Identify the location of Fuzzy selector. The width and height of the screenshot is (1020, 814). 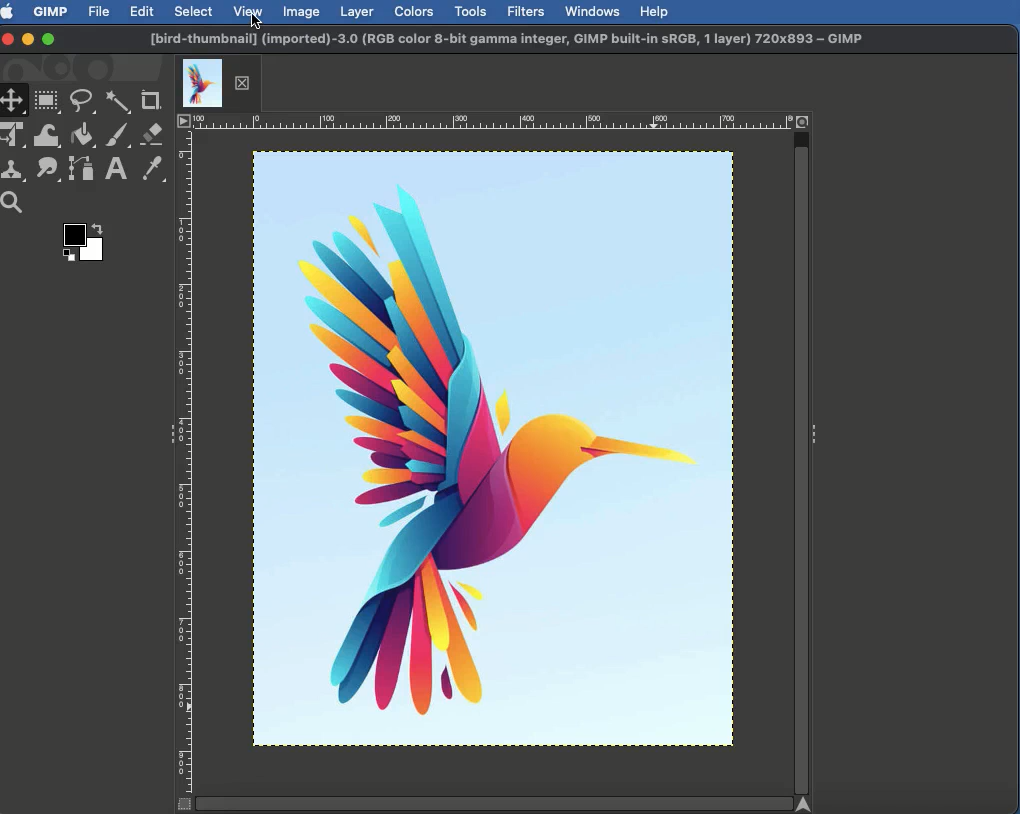
(118, 103).